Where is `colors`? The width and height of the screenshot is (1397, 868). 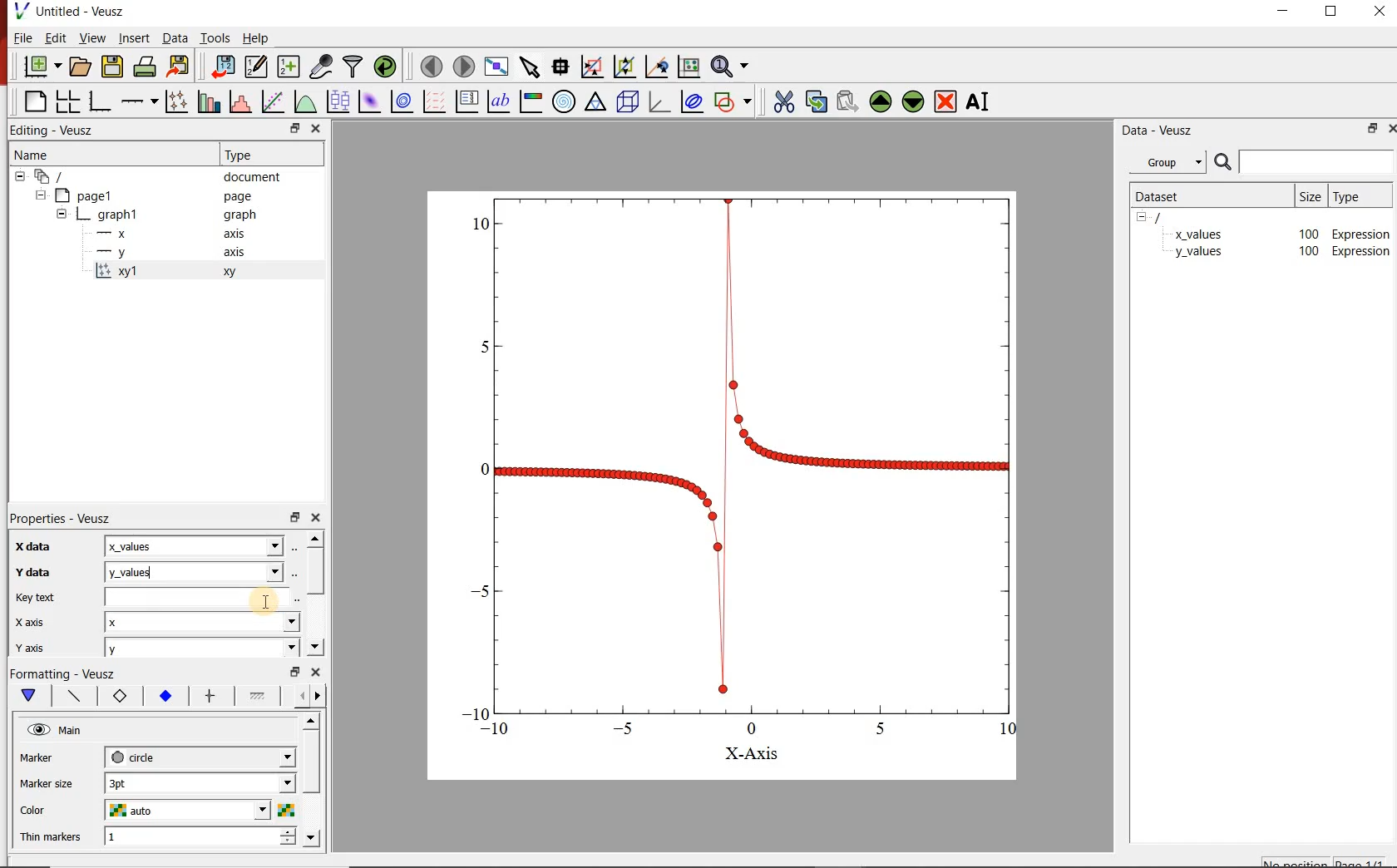
colors is located at coordinates (285, 810).